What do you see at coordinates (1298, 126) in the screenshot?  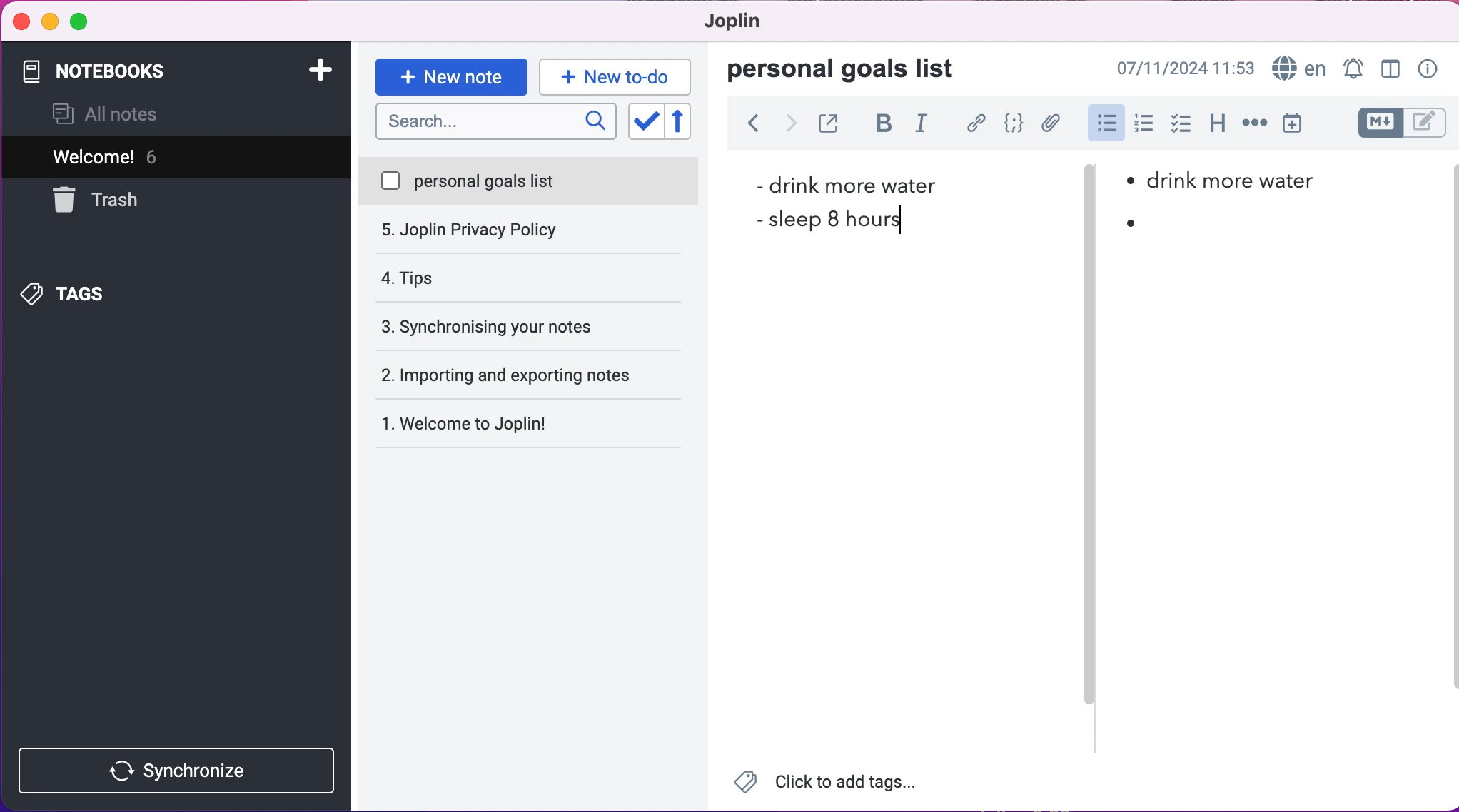 I see `insert time` at bounding box center [1298, 126].